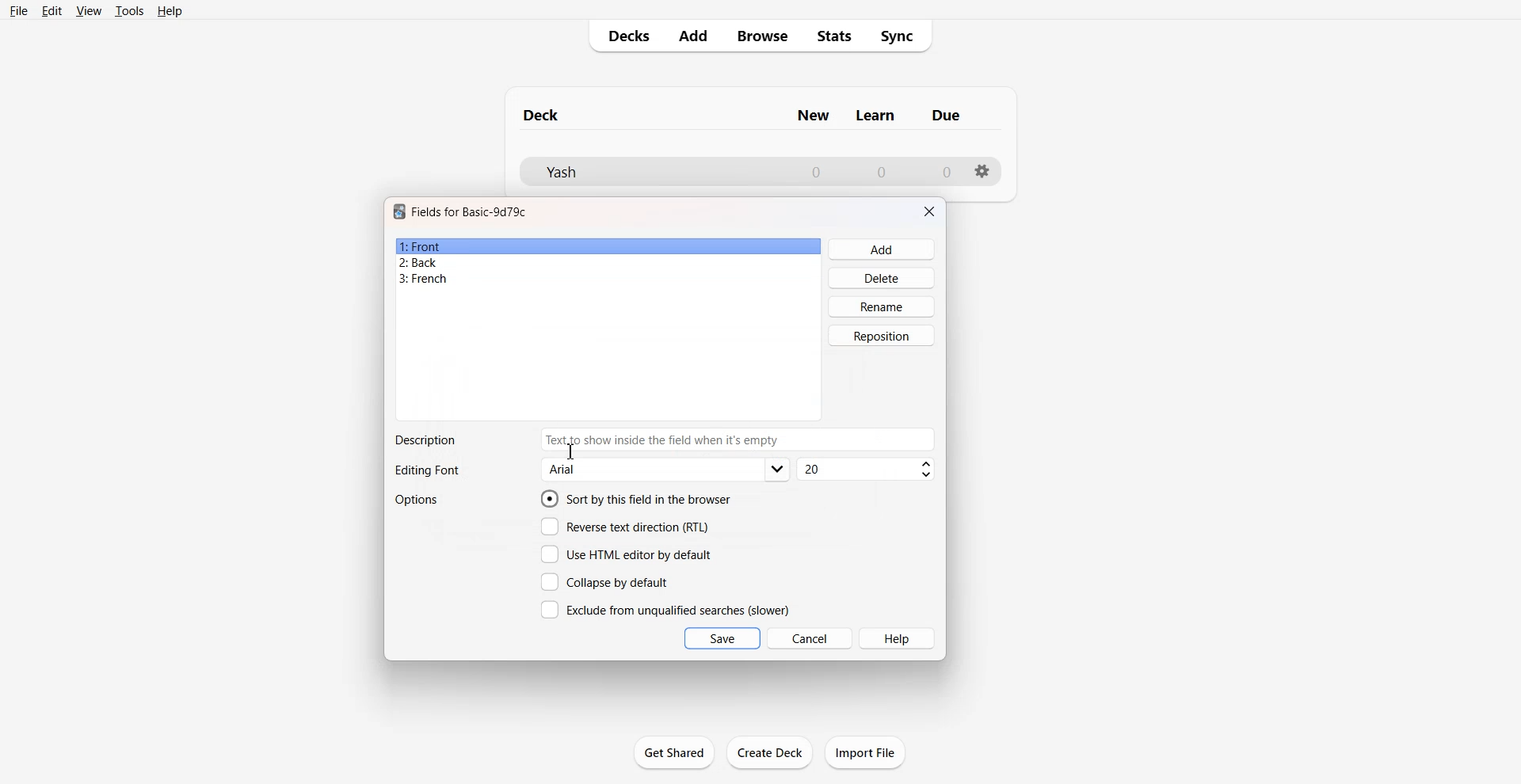  Describe the element at coordinates (625, 527) in the screenshot. I see `Reverse text direction (RTL)` at that location.